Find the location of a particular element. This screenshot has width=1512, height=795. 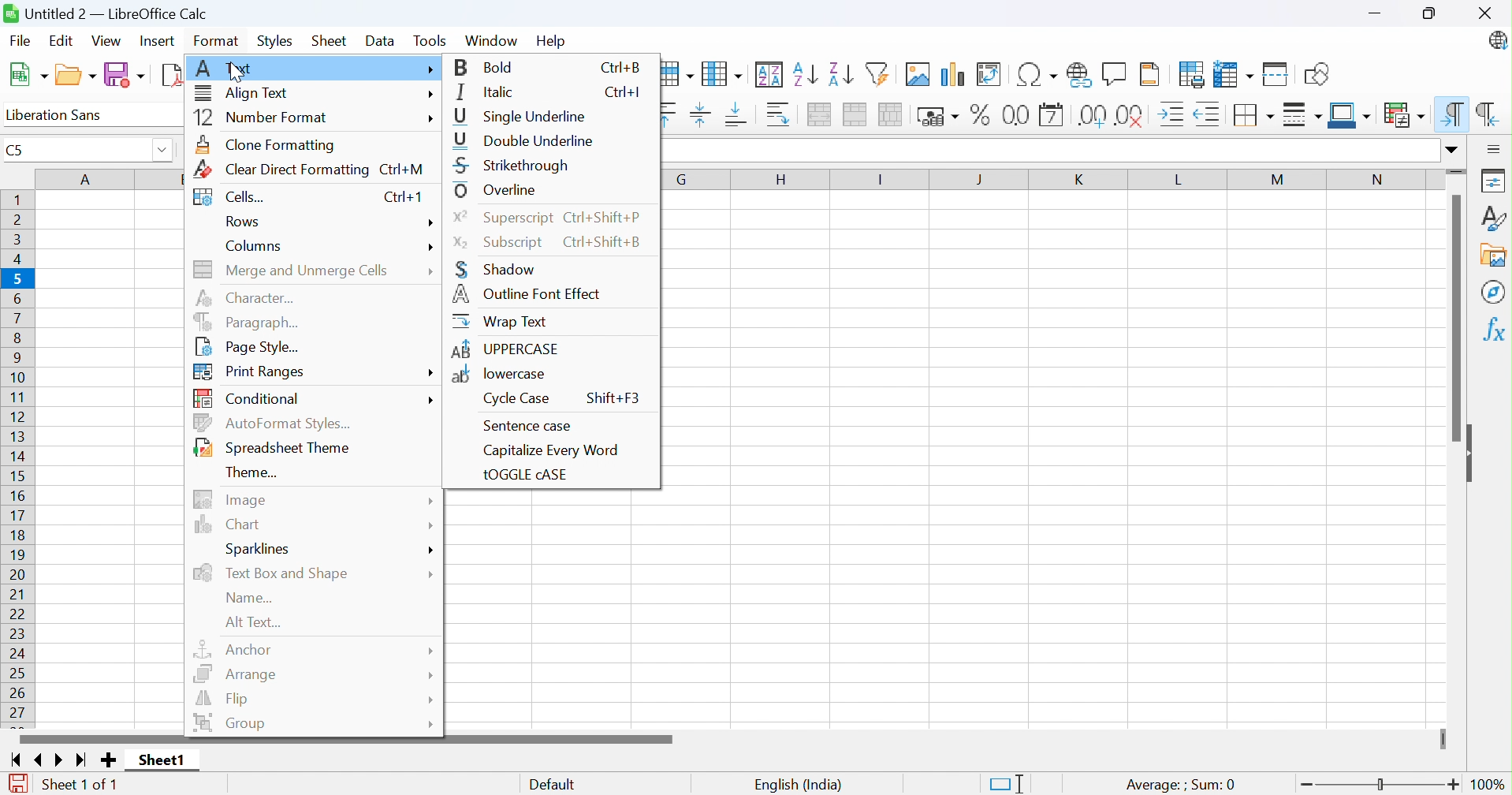

Export as PDF is located at coordinates (172, 76).